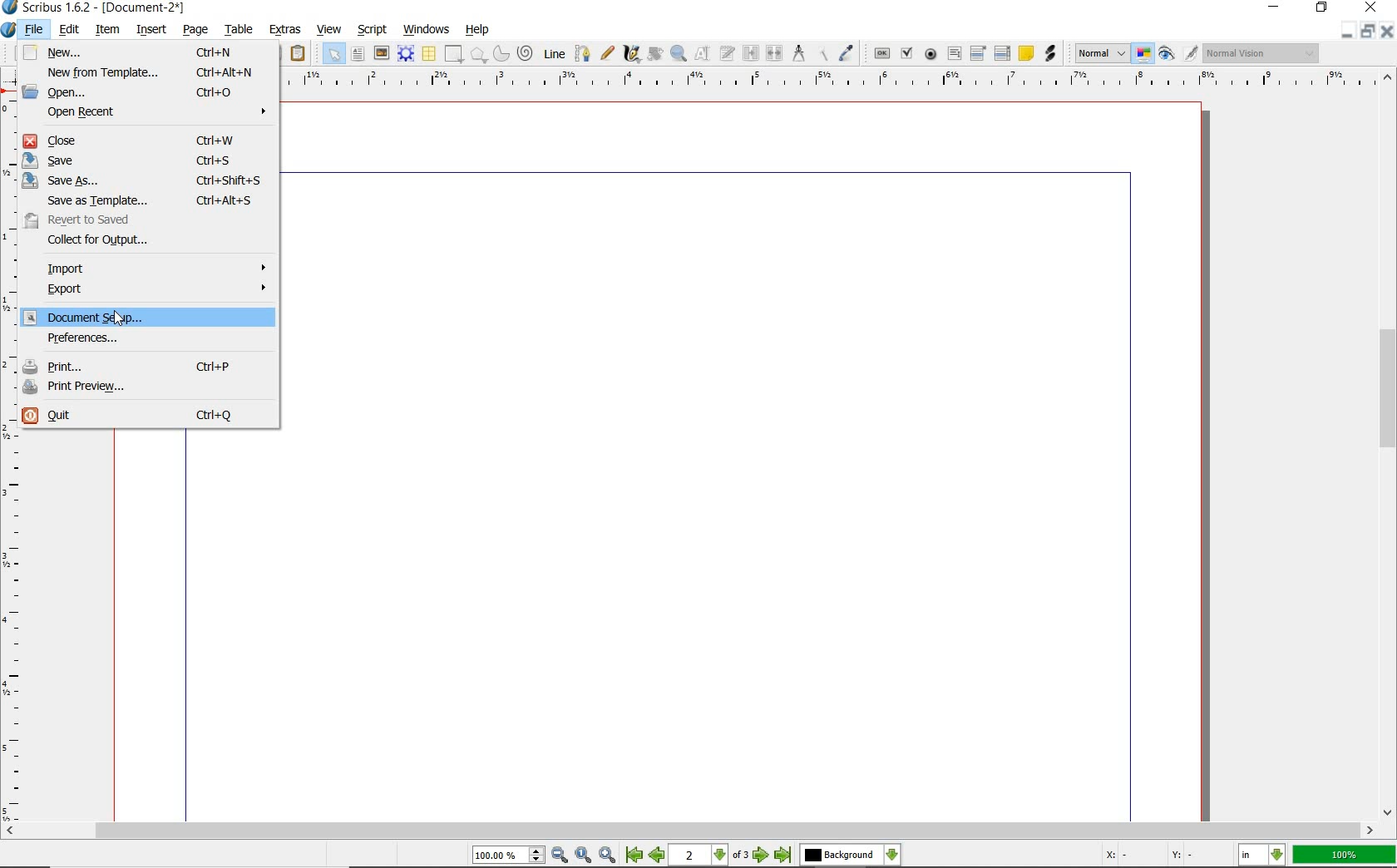  What do you see at coordinates (96, 7) in the screenshot?
I see `Scribus 1.62 - [Document-2*]` at bounding box center [96, 7].